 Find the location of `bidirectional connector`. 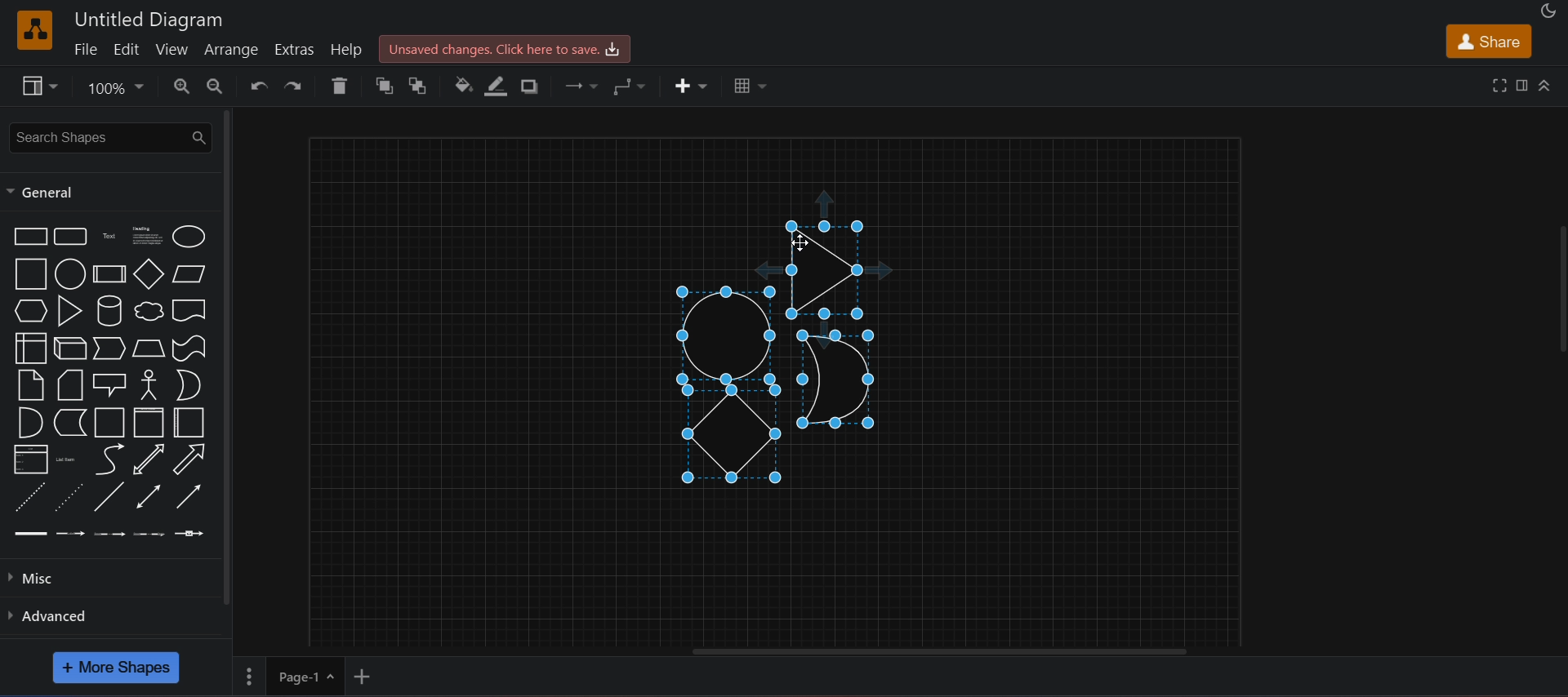

bidirectional connector is located at coordinates (145, 497).